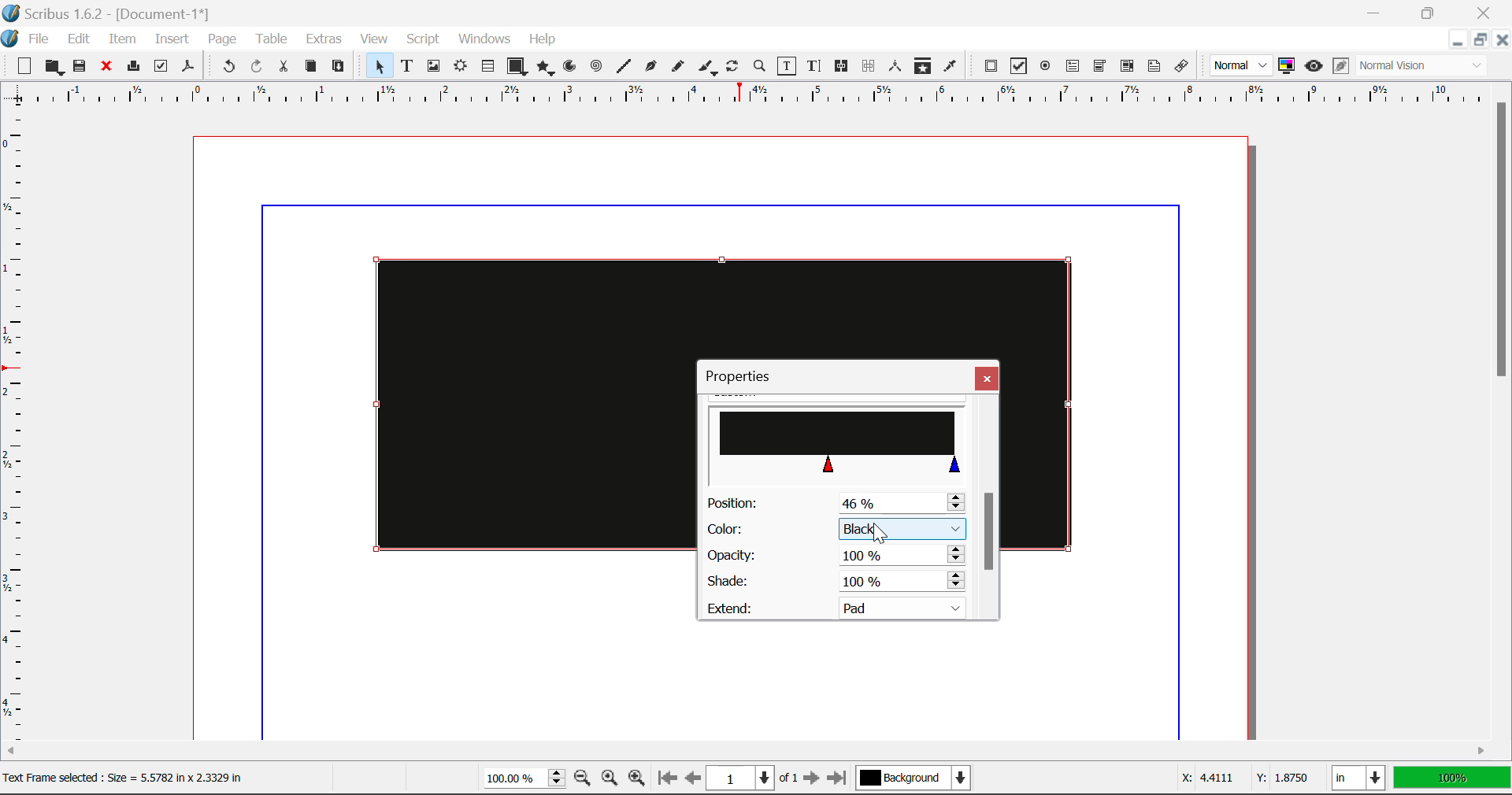 The width and height of the screenshot is (1512, 795). I want to click on Minimize, so click(1478, 39).